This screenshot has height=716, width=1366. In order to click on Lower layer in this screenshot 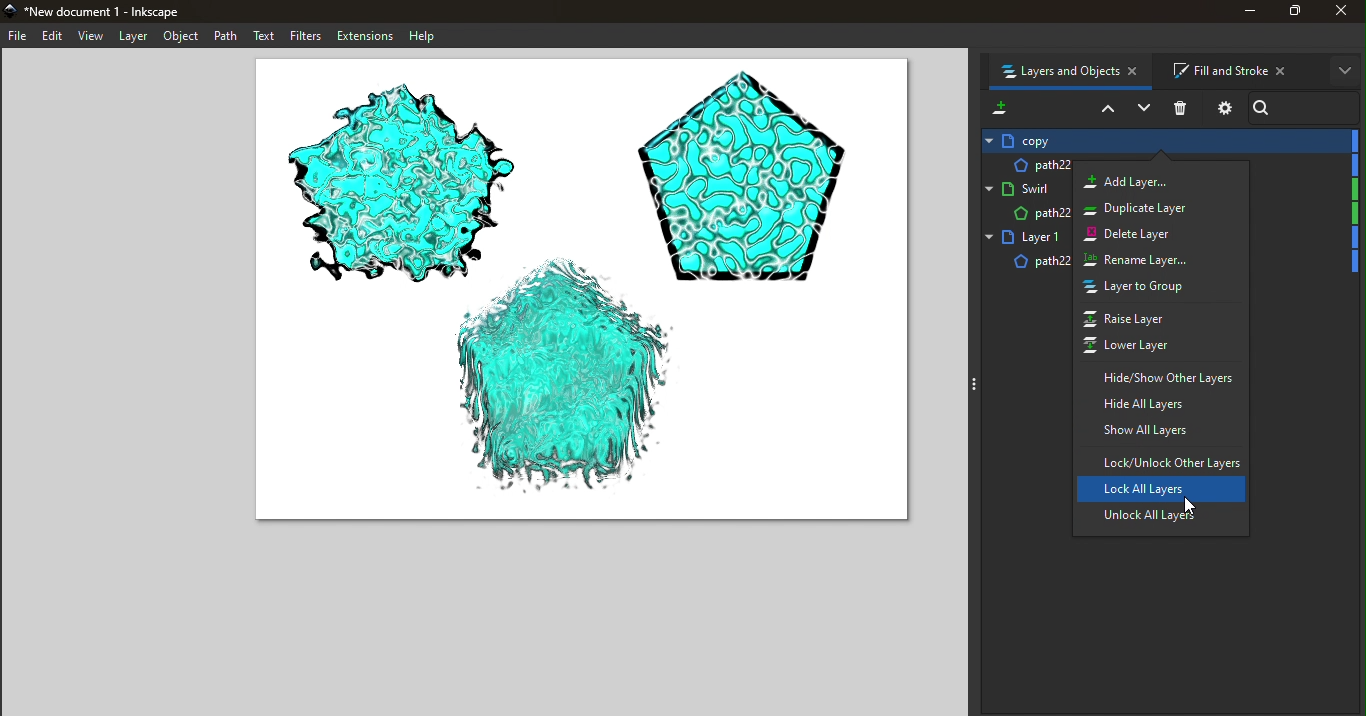, I will do `click(1153, 347)`.